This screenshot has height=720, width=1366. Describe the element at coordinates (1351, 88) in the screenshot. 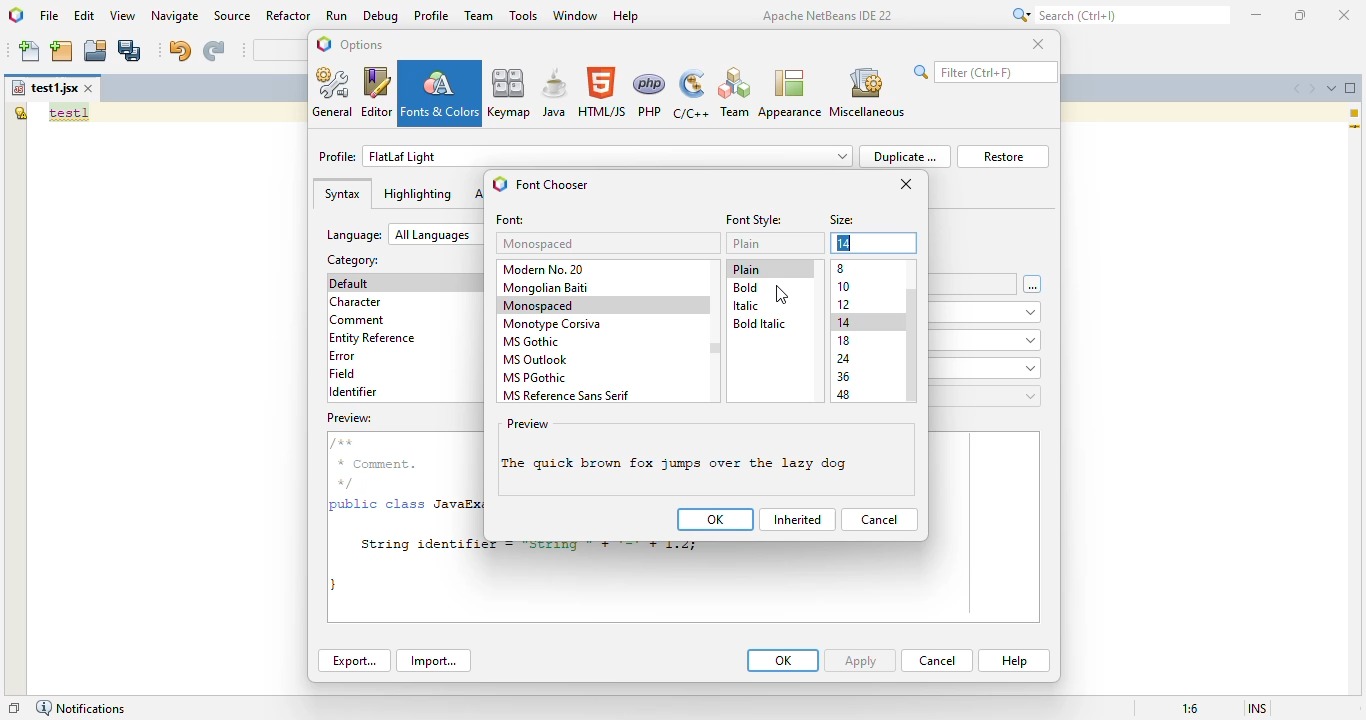

I see `maximize window` at that location.